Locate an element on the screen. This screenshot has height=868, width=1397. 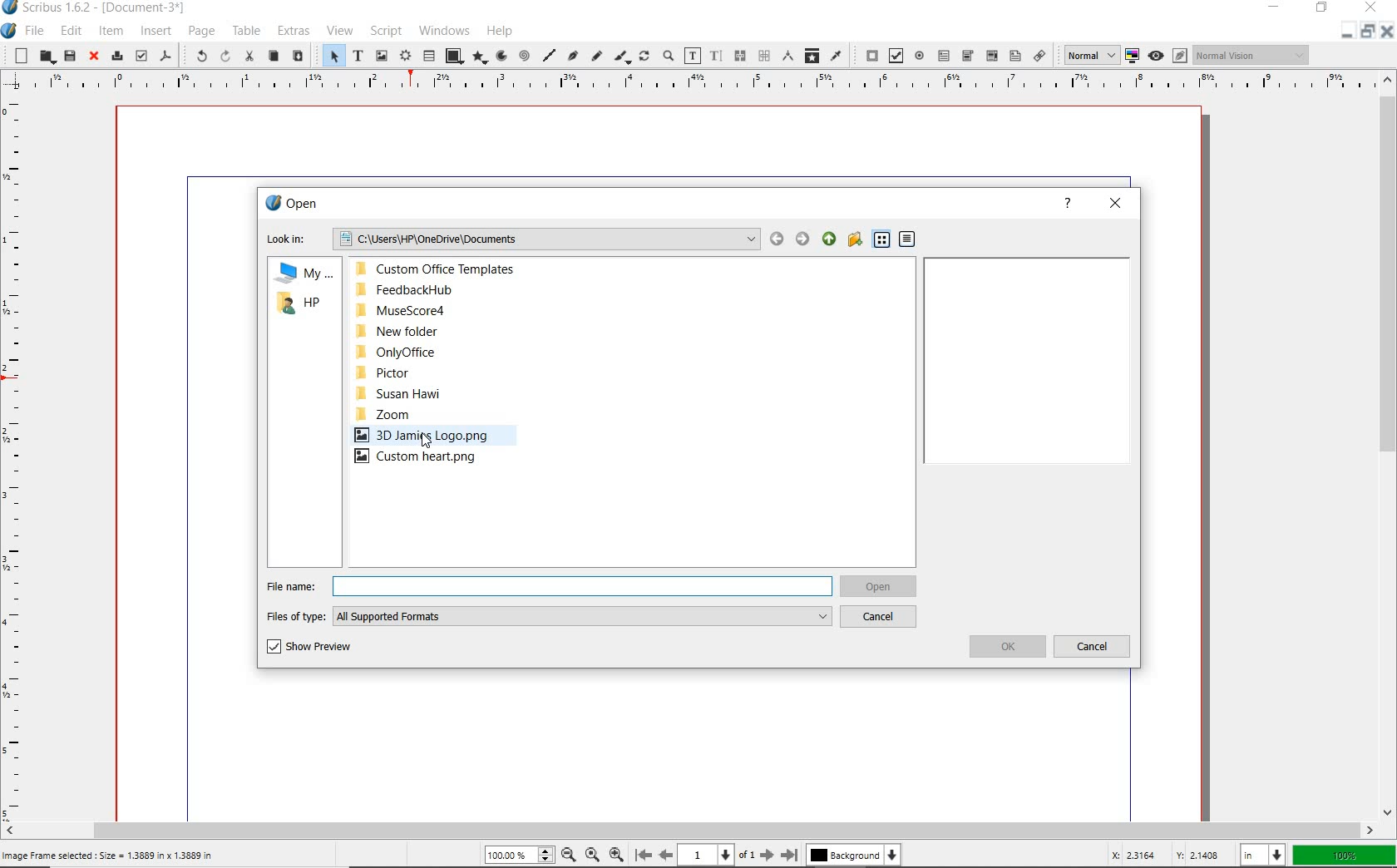
SCROLLBAR is located at coordinates (1389, 446).